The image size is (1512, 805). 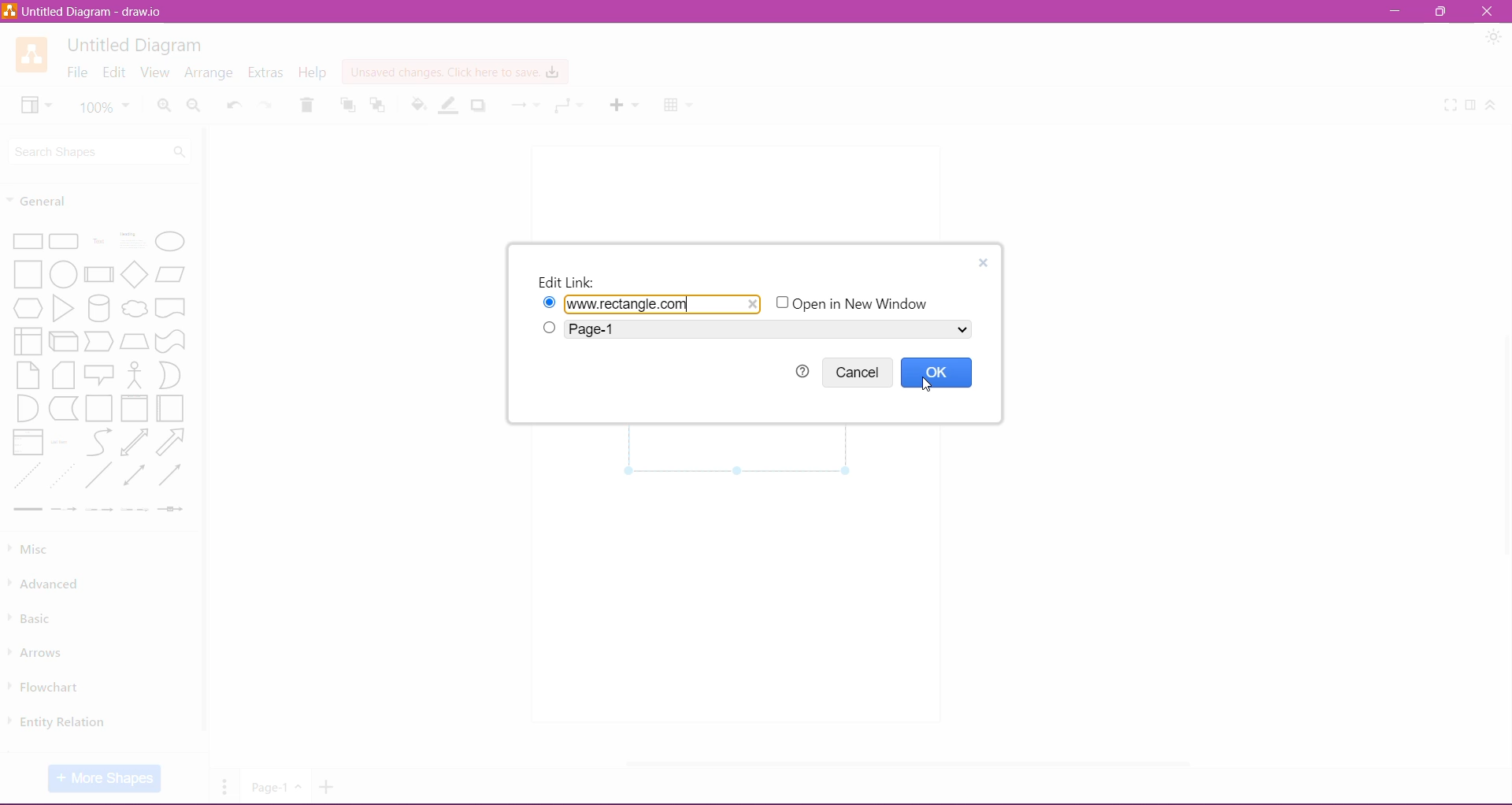 What do you see at coordinates (38, 651) in the screenshot?
I see `Arrows` at bounding box center [38, 651].